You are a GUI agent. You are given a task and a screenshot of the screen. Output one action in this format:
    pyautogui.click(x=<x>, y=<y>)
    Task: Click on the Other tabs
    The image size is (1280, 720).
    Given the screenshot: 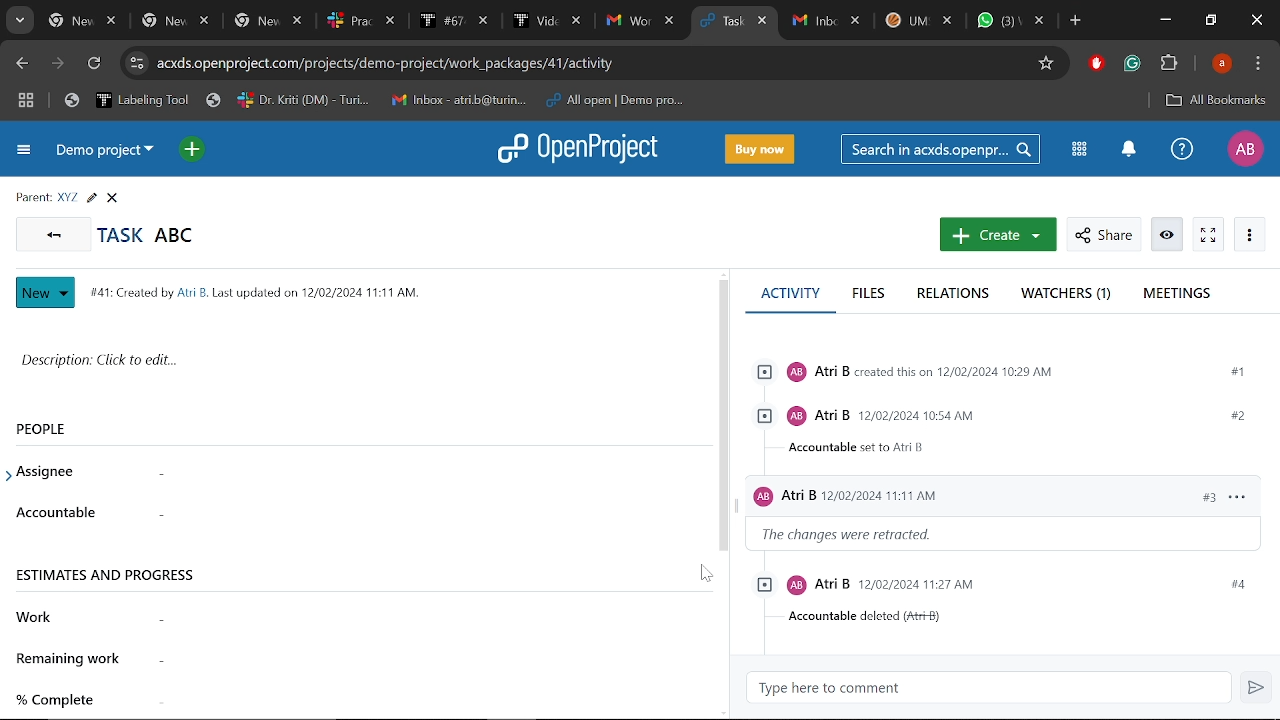 What is the action you would take?
    pyautogui.click(x=918, y=23)
    